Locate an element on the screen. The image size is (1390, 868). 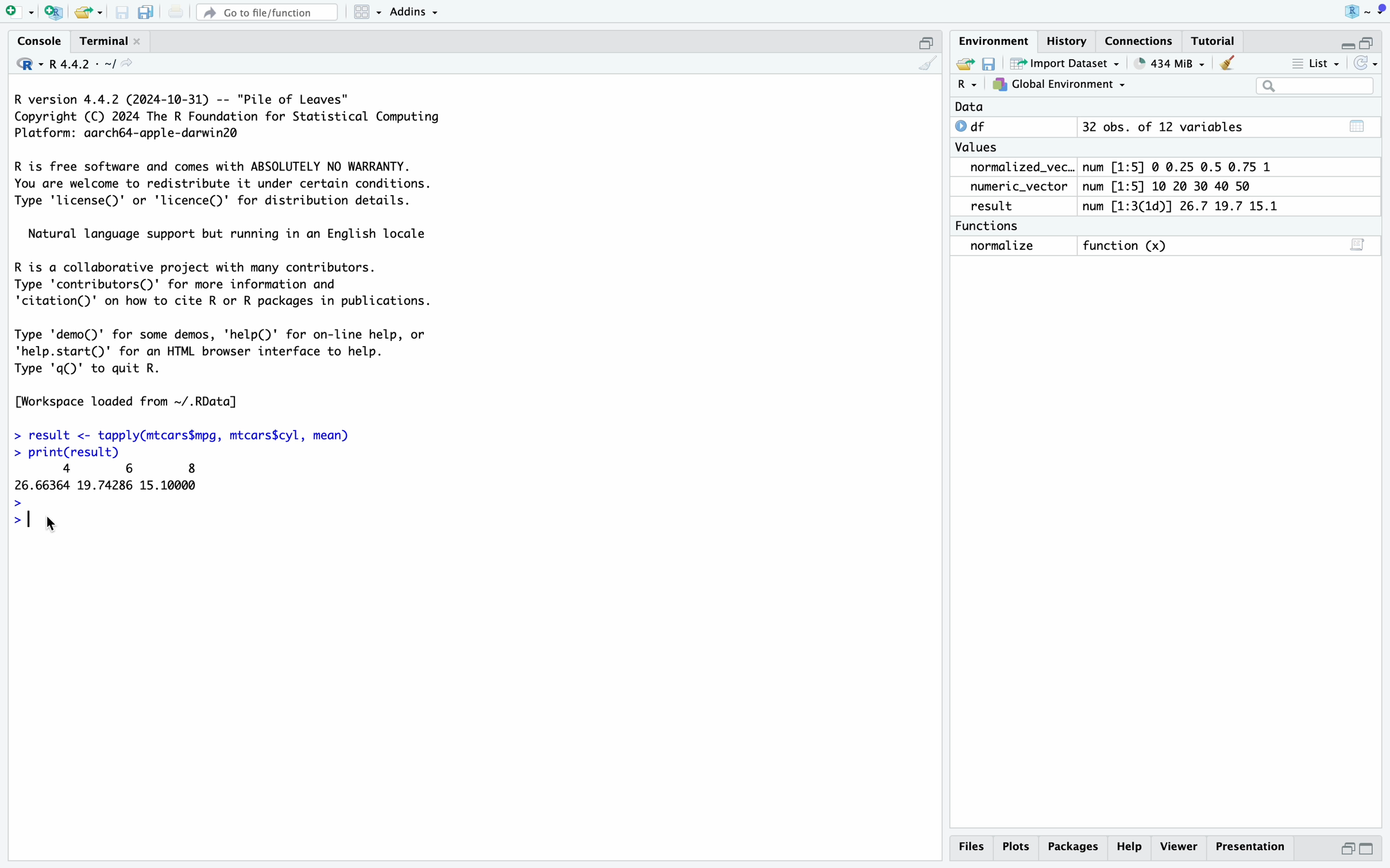
Workspace panes is located at coordinates (367, 12).